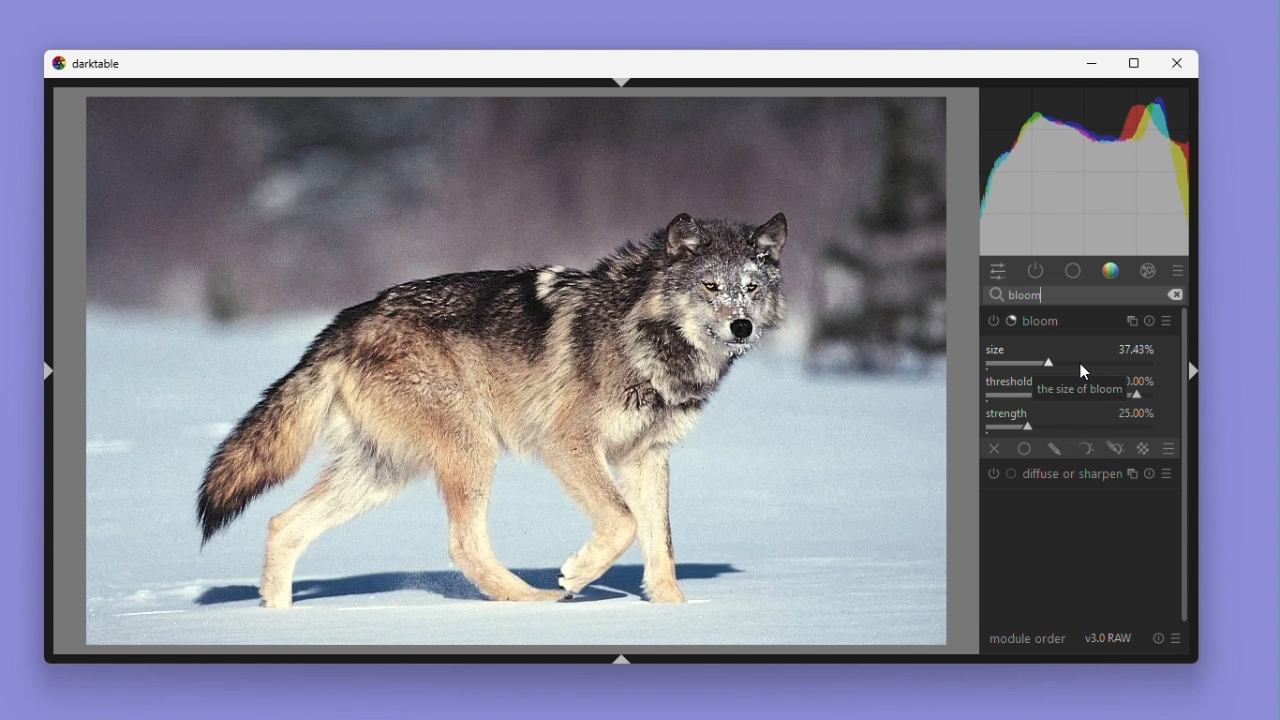 The height and width of the screenshot is (720, 1280). I want to click on drawn mask, so click(1057, 449).